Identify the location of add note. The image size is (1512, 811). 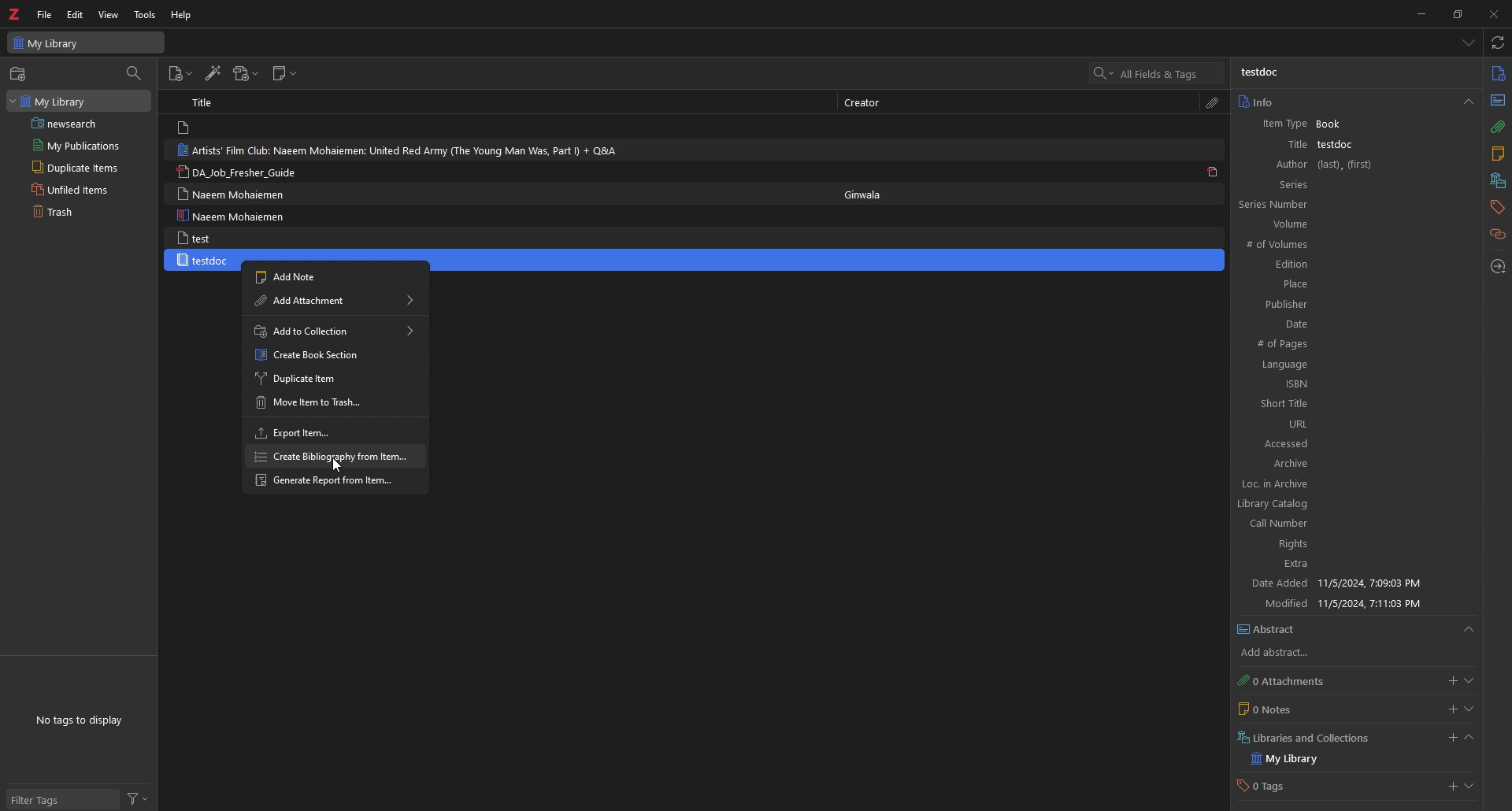
(332, 276).